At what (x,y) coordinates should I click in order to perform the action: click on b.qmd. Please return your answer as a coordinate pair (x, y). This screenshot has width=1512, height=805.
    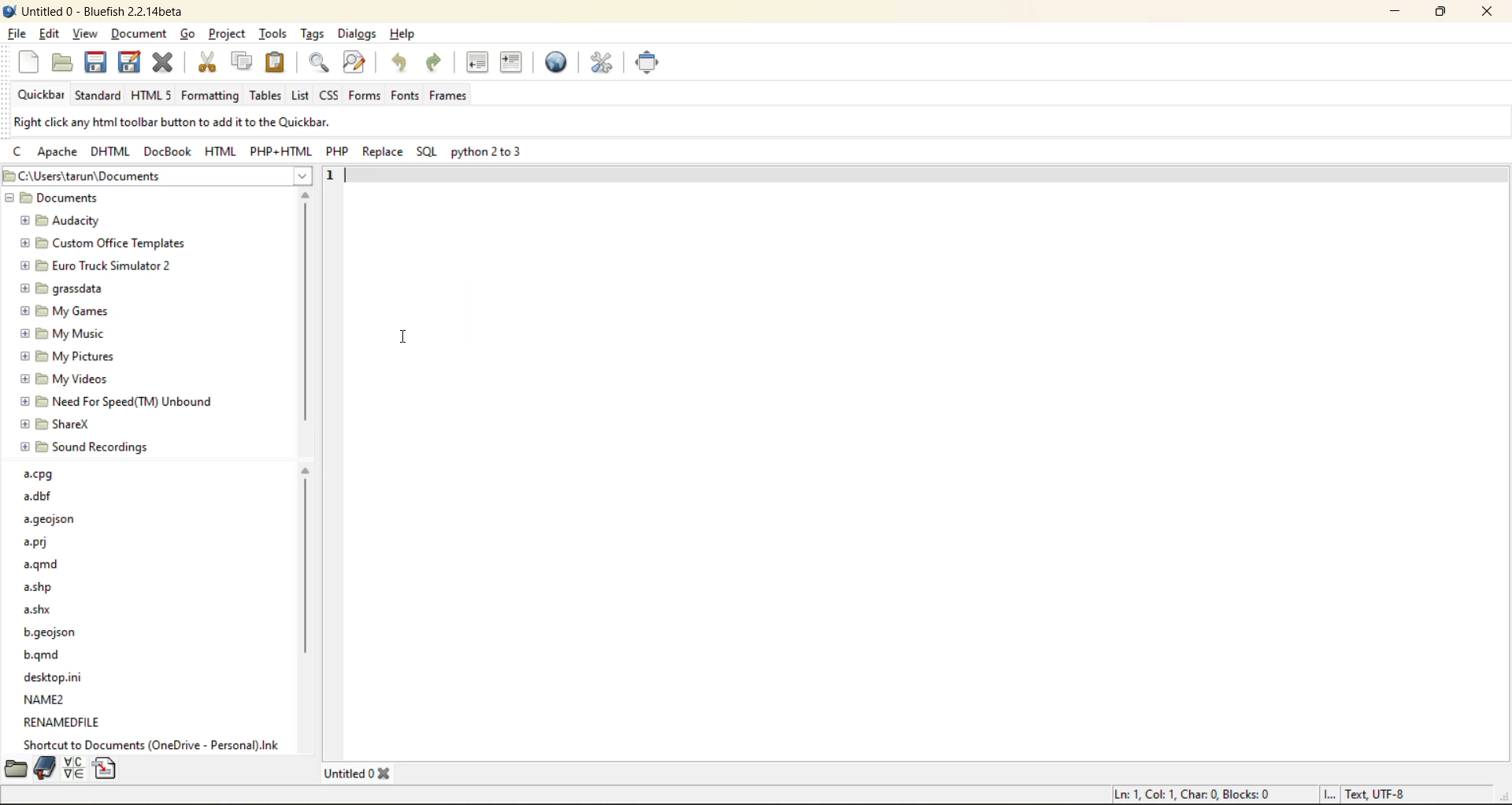
    Looking at the image, I should click on (45, 655).